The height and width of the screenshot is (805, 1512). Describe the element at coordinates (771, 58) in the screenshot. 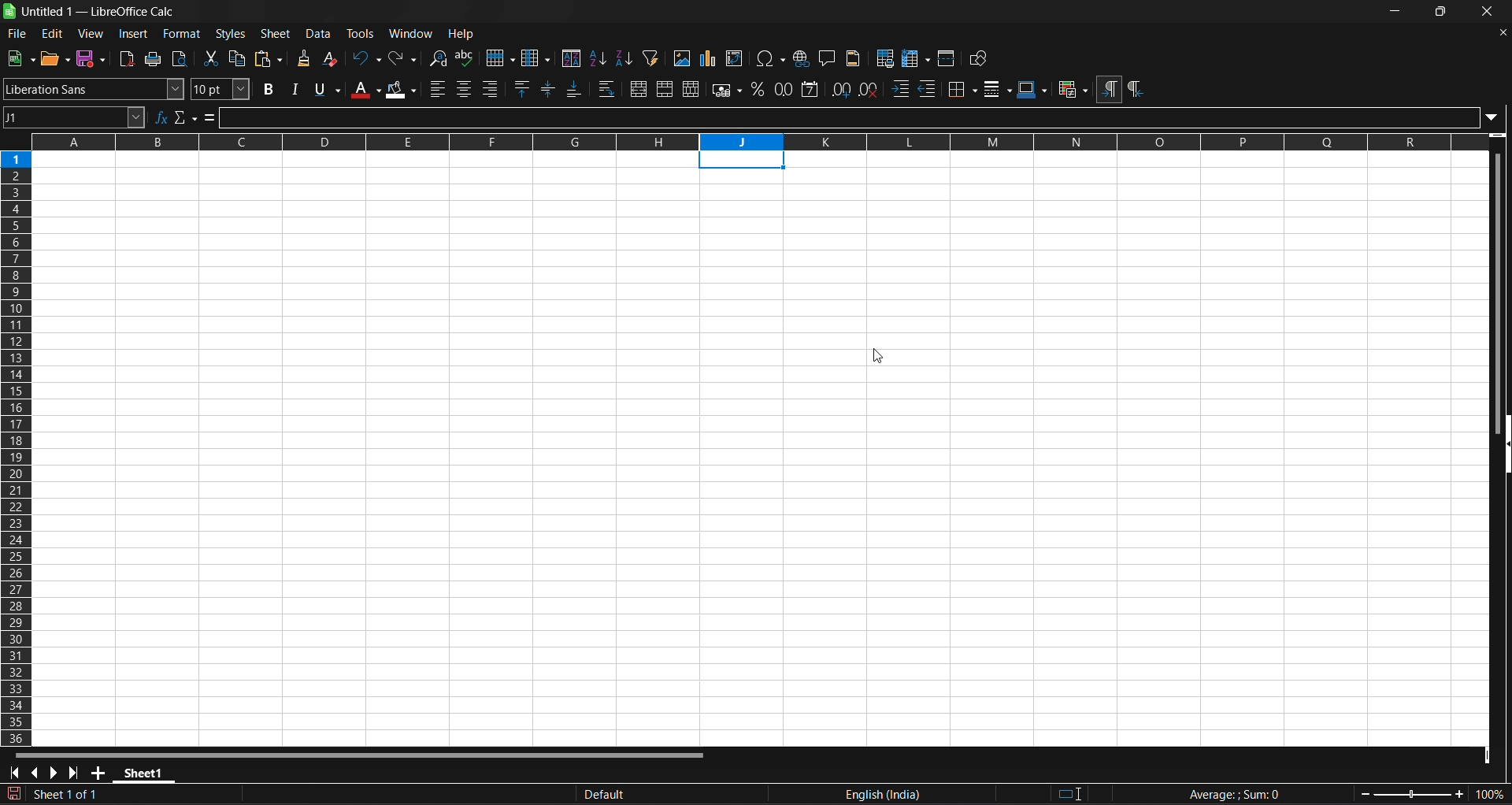

I see `insert special characters` at that location.